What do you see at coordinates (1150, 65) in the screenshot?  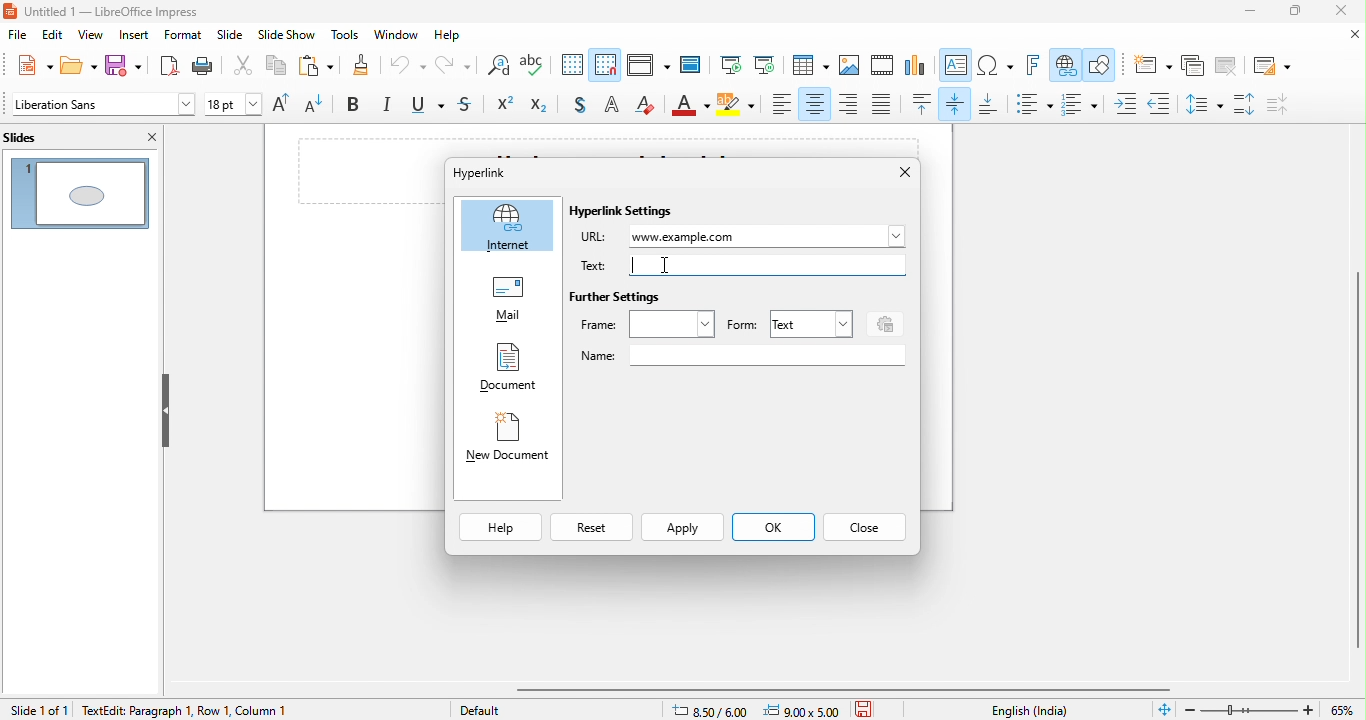 I see `new slide` at bounding box center [1150, 65].